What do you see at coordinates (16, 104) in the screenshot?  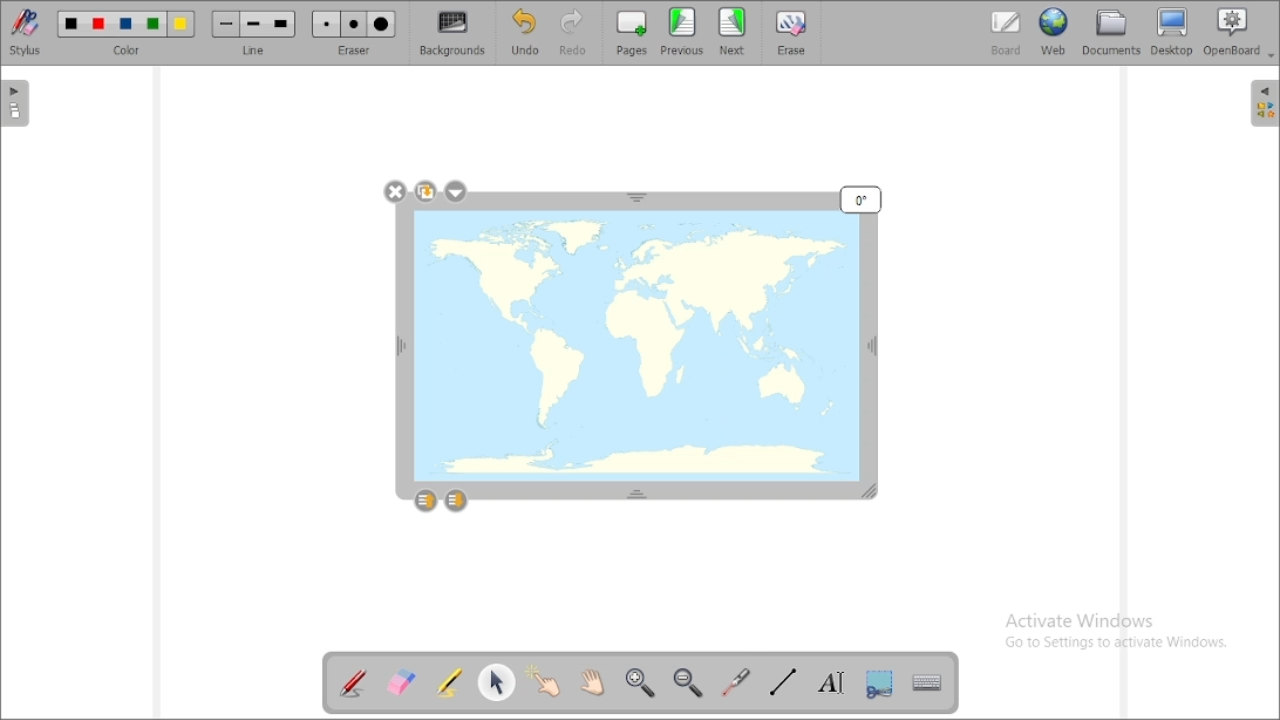 I see `pages pane` at bounding box center [16, 104].